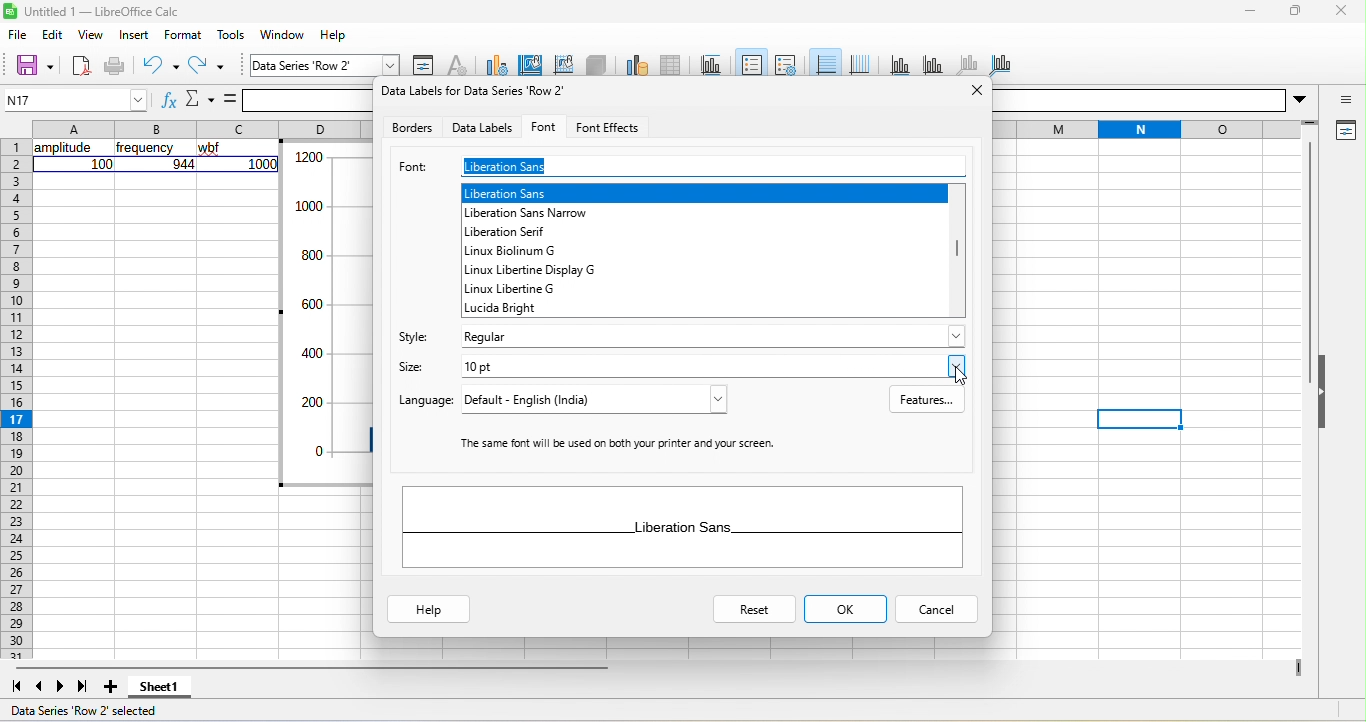 This screenshot has height=722, width=1366. Describe the element at coordinates (686, 528) in the screenshot. I see `liberation sans` at that location.